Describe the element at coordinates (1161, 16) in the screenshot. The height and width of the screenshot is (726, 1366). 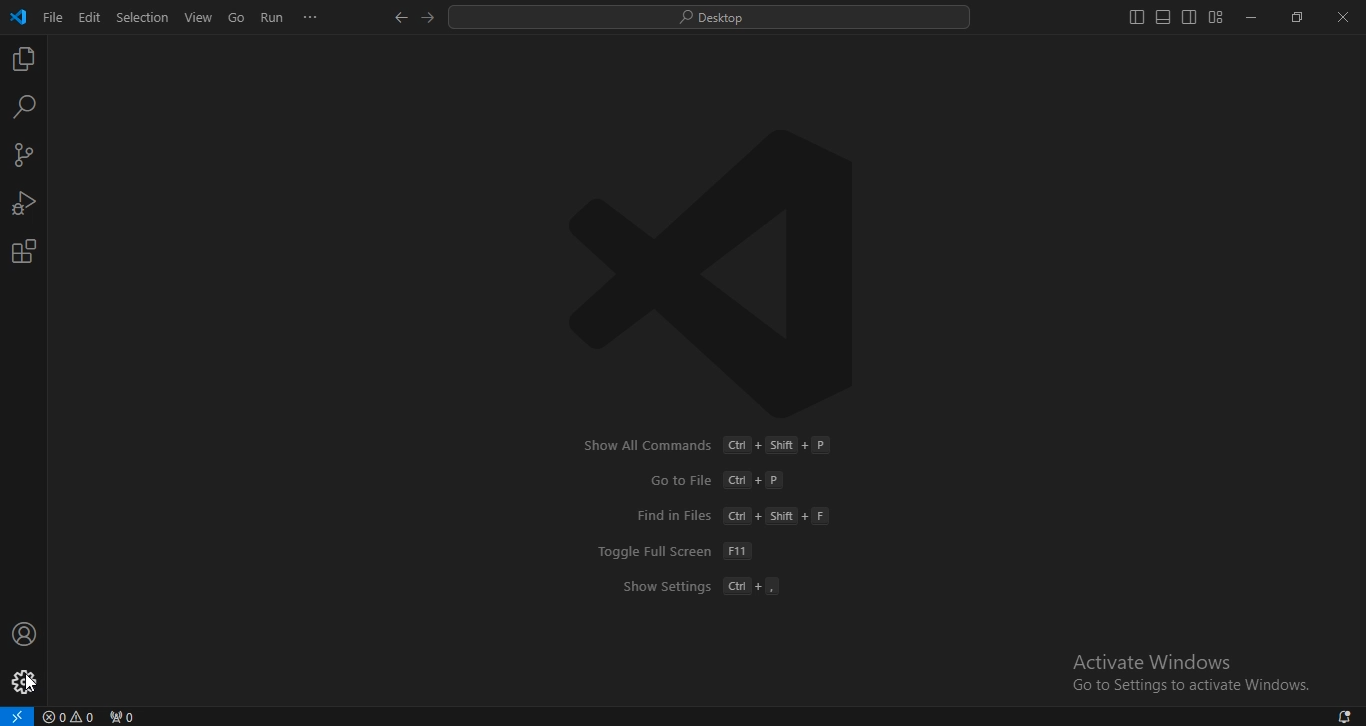
I see `toggle panel` at that location.